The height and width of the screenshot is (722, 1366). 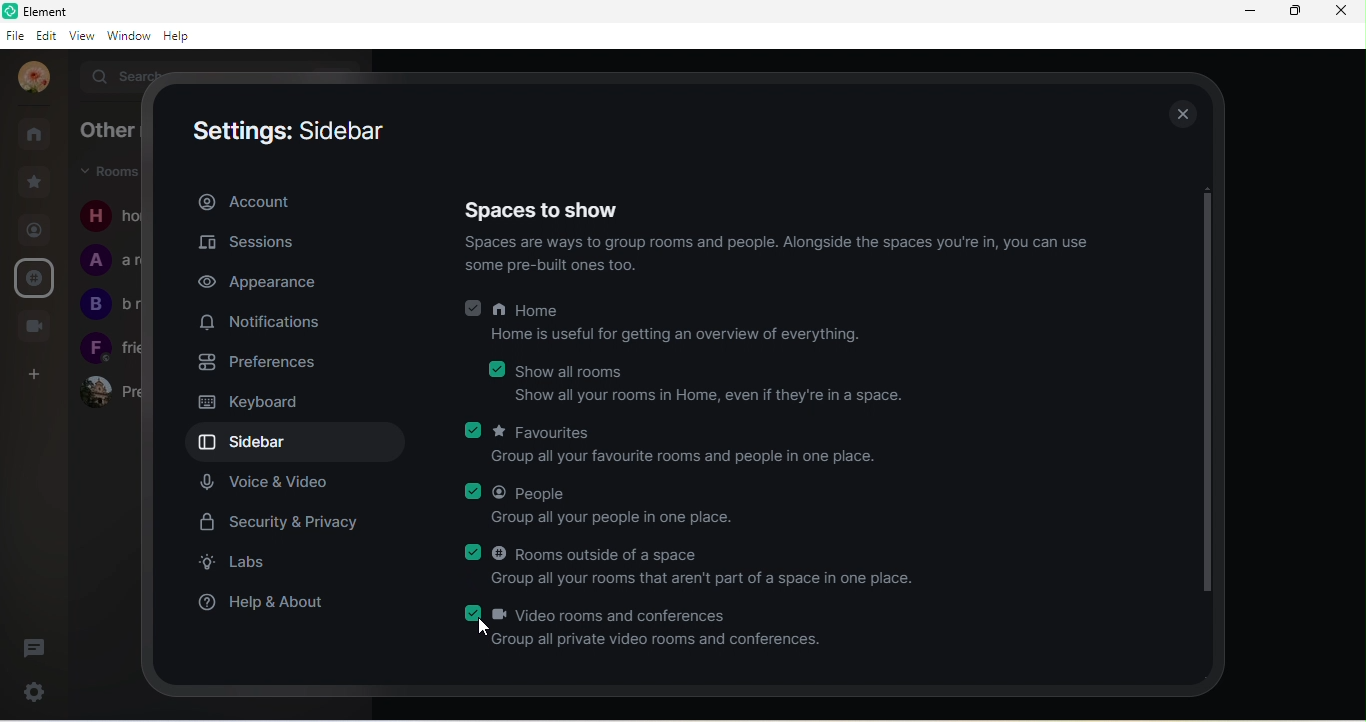 I want to click on favourites, so click(x=36, y=180).